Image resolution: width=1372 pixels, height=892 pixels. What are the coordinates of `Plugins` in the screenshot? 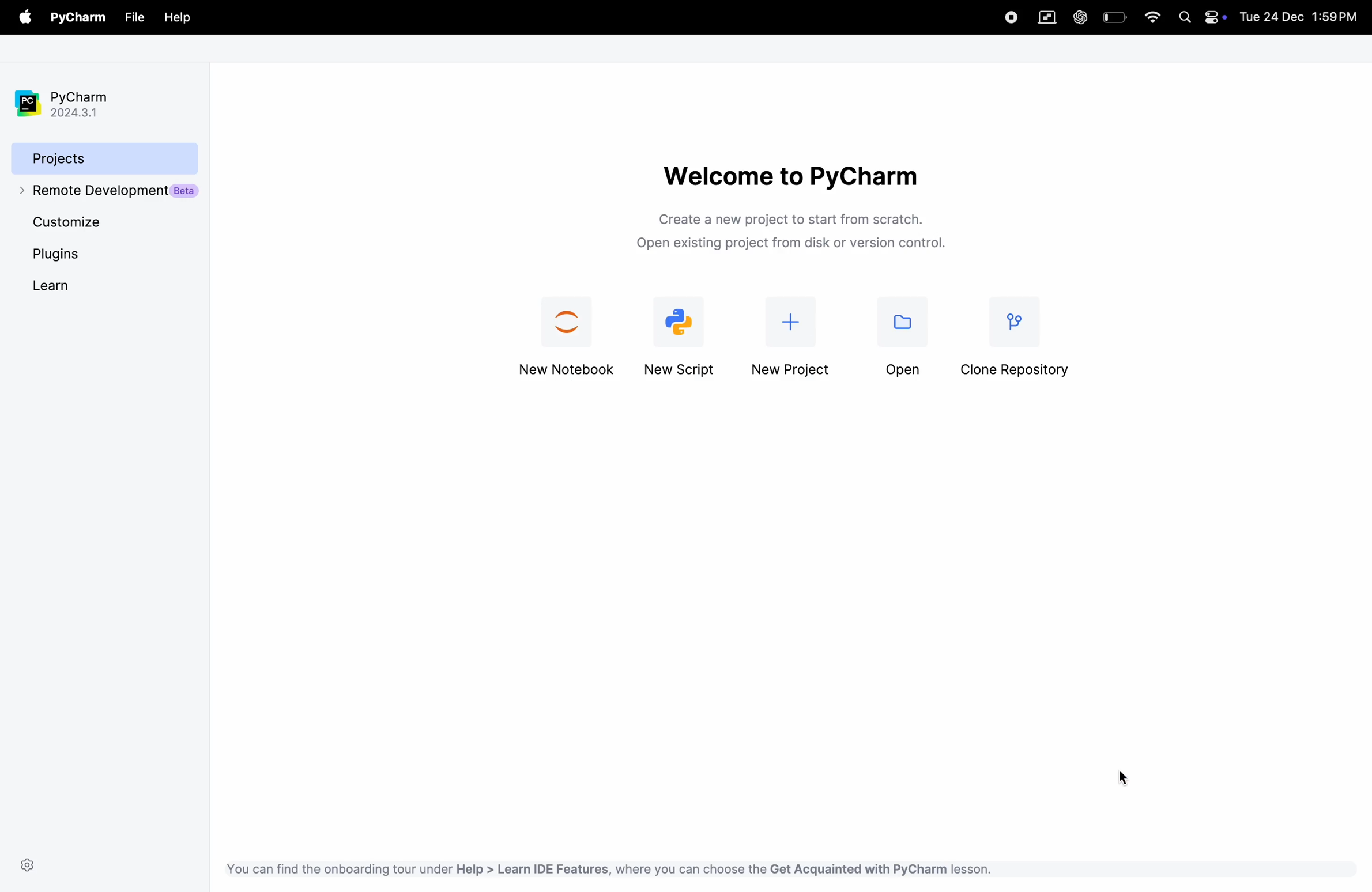 It's located at (59, 258).